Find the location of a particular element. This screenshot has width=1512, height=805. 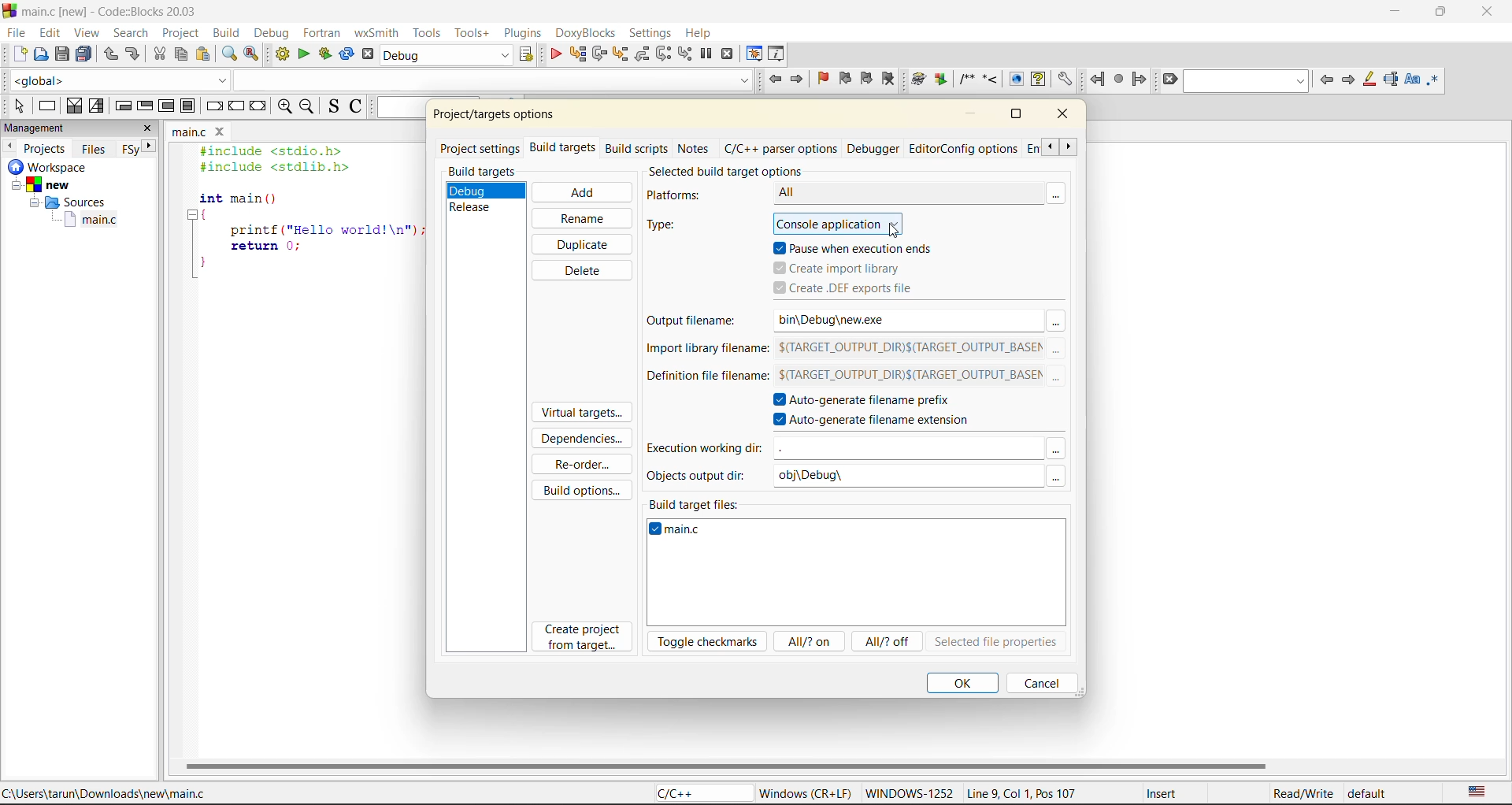

debug is located at coordinates (486, 191).